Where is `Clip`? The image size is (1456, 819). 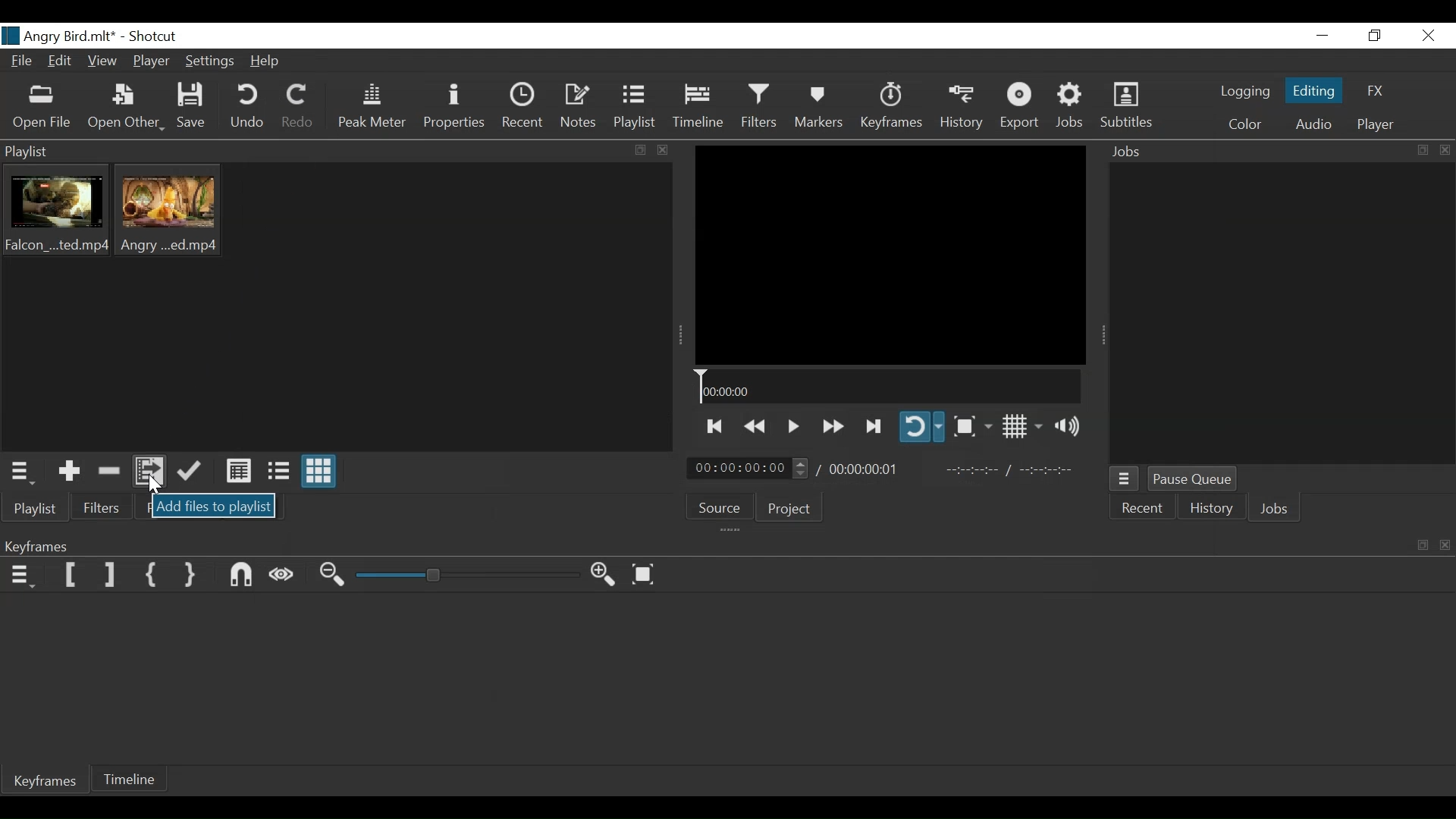
Clip is located at coordinates (174, 215).